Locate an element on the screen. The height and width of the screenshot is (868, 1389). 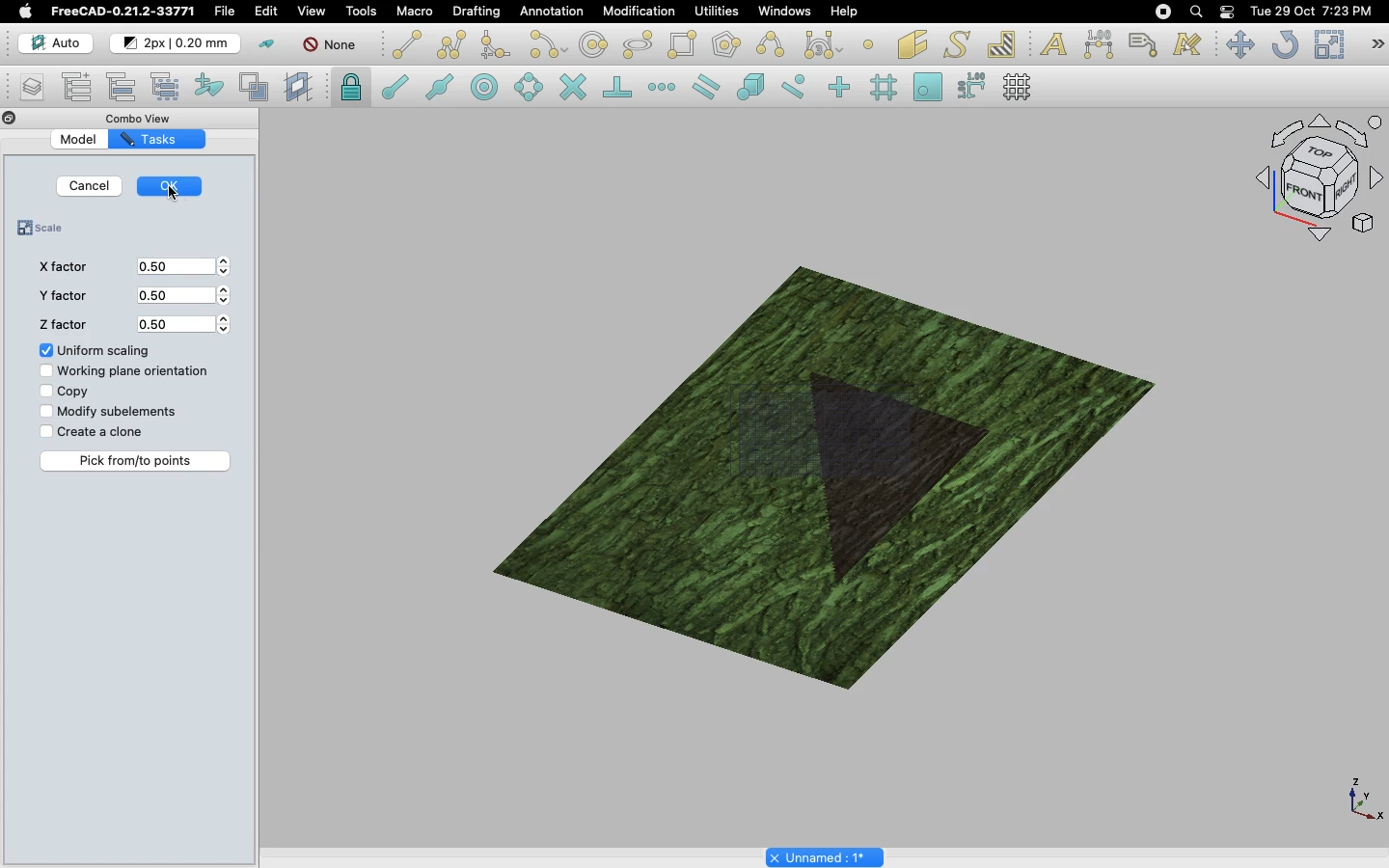
Snap extension is located at coordinates (662, 88).